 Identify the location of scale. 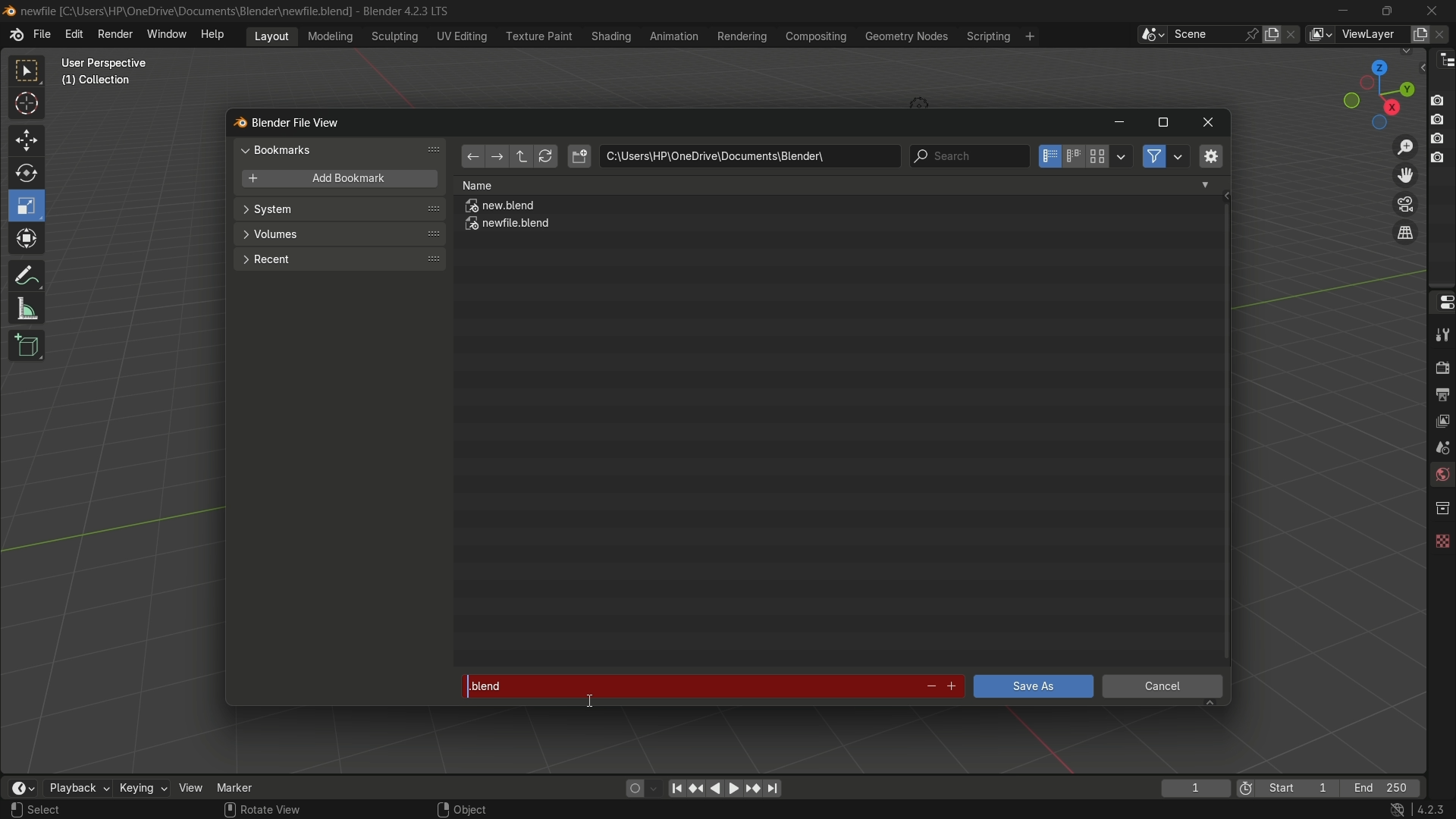
(29, 206).